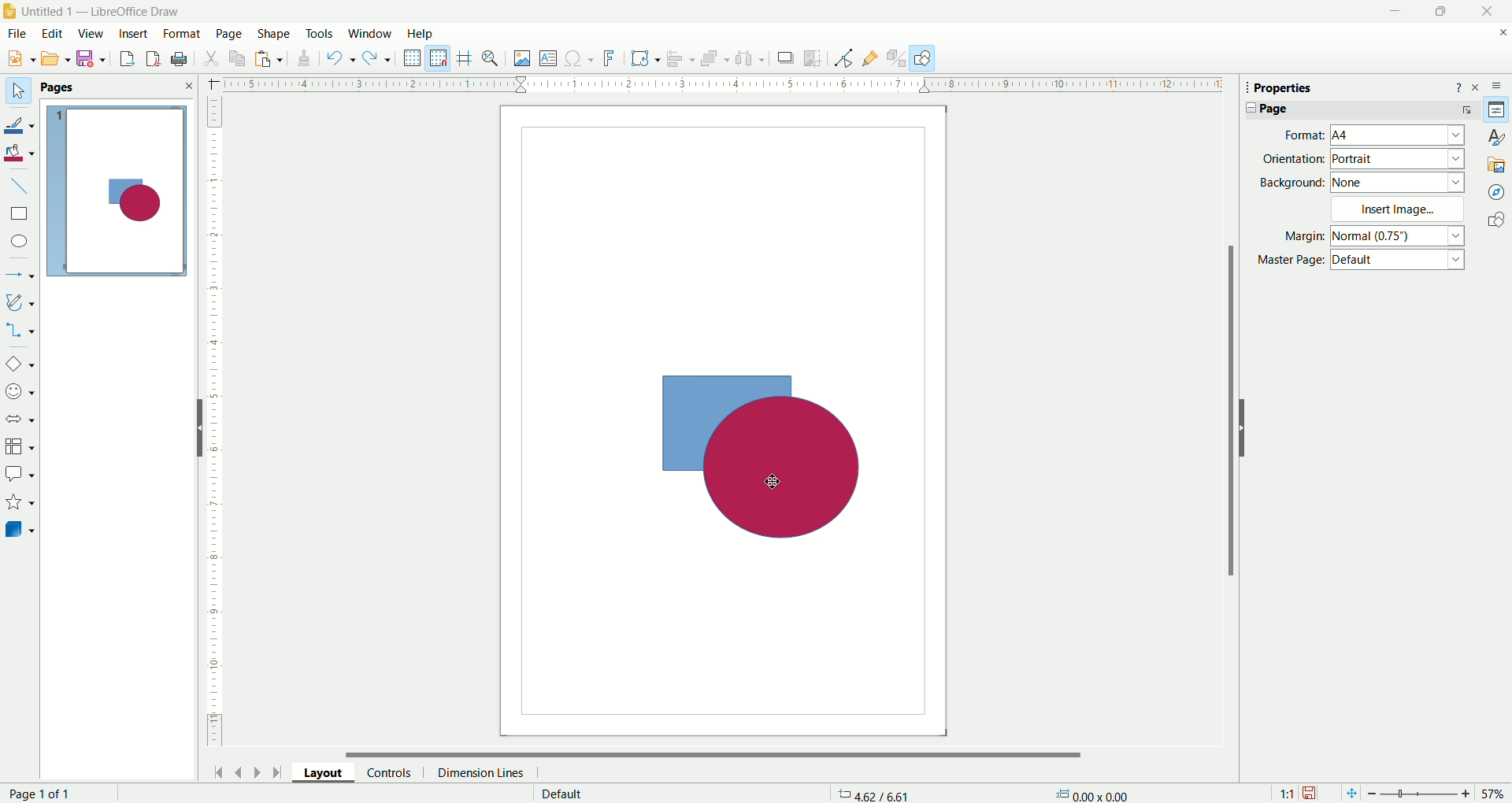  What do you see at coordinates (258, 771) in the screenshot?
I see `next page` at bounding box center [258, 771].